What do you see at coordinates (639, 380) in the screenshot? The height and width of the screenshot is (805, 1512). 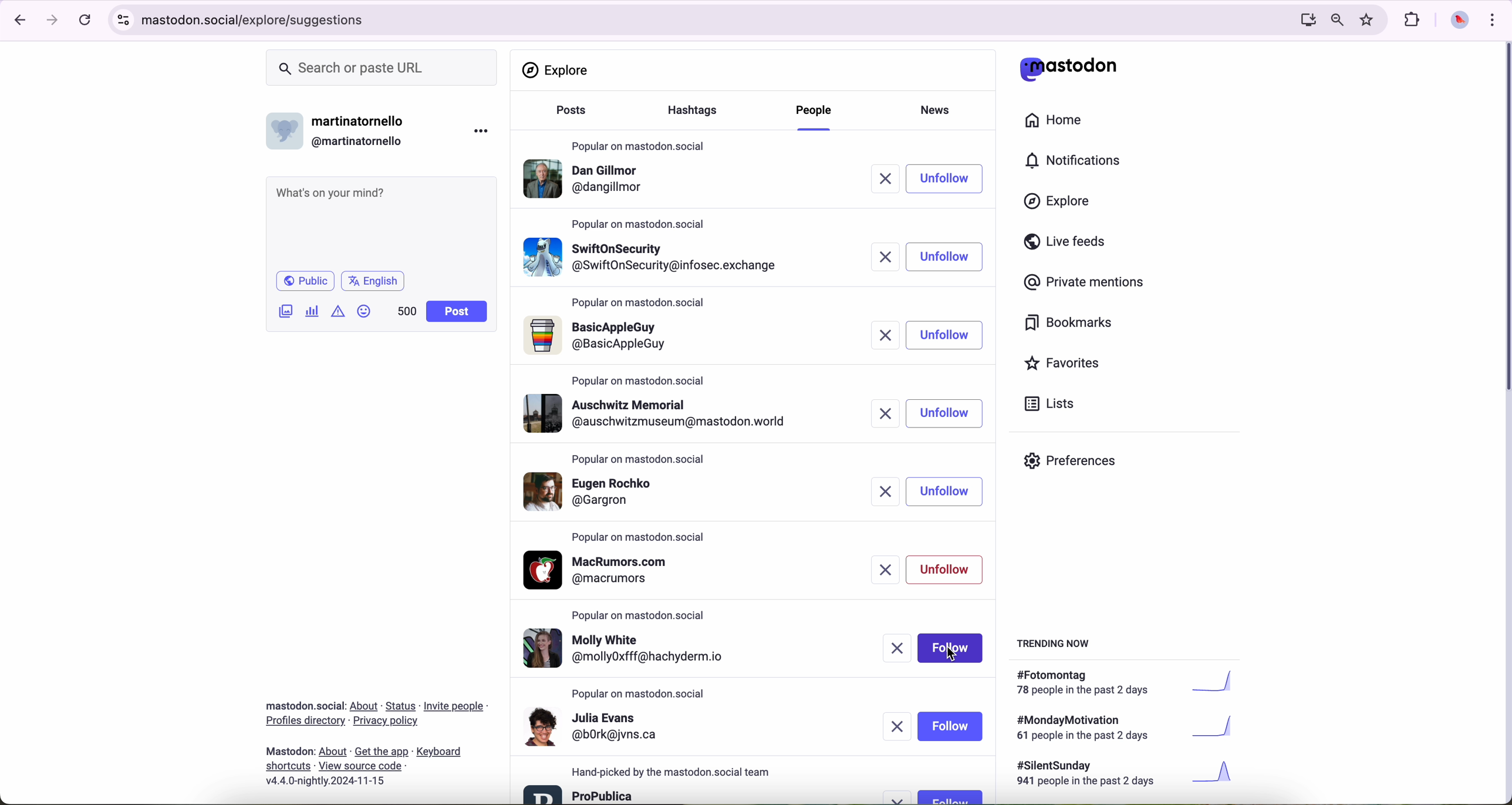 I see `popular` at bounding box center [639, 380].